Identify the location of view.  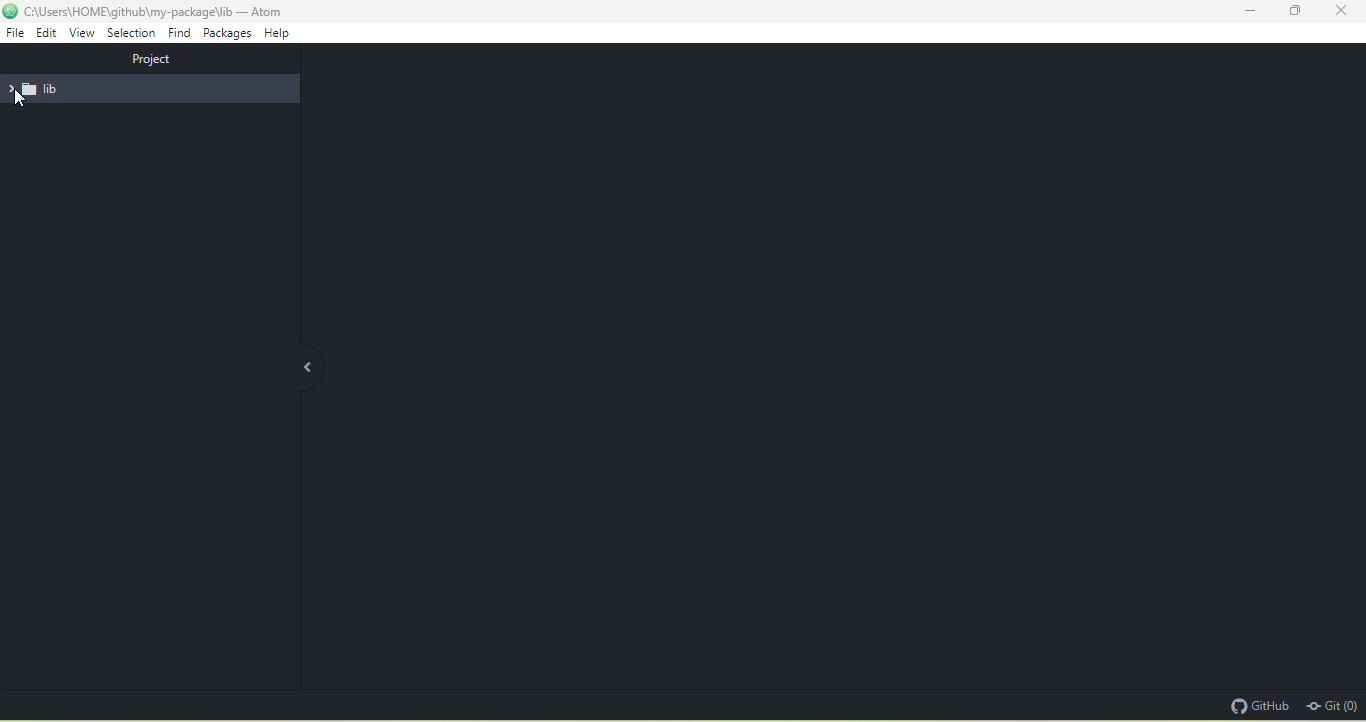
(80, 33).